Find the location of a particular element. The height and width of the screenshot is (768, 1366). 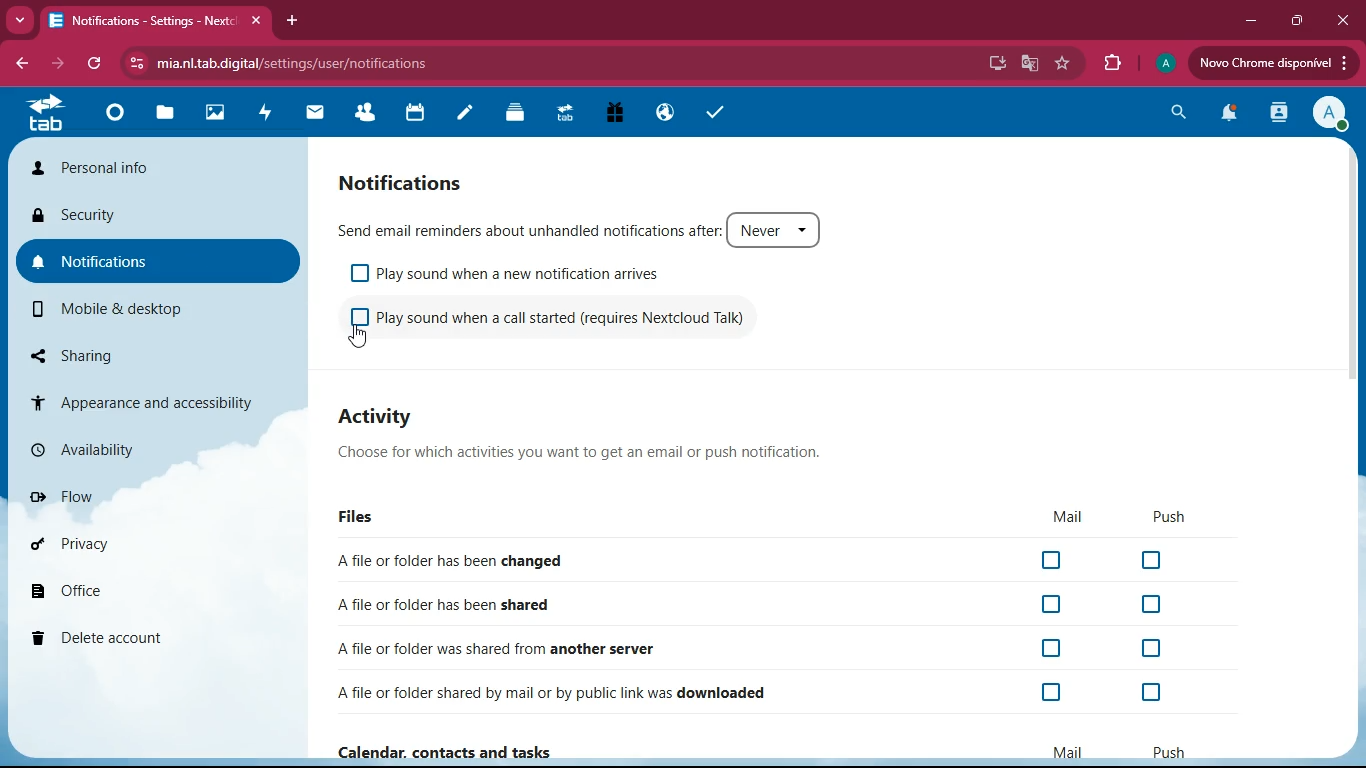

off is located at coordinates (1150, 606).